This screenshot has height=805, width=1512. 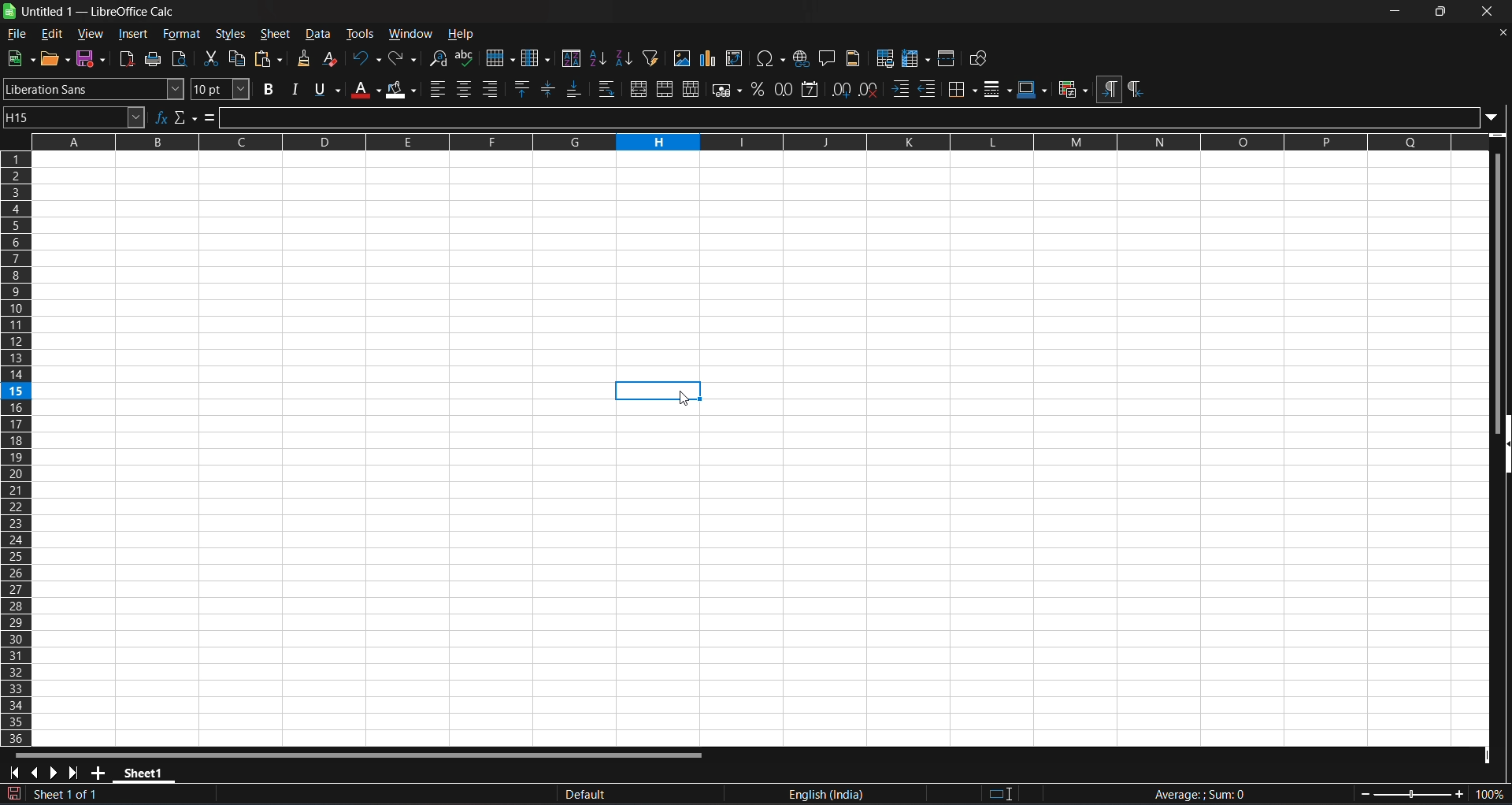 What do you see at coordinates (576, 89) in the screenshot?
I see `align bottom` at bounding box center [576, 89].